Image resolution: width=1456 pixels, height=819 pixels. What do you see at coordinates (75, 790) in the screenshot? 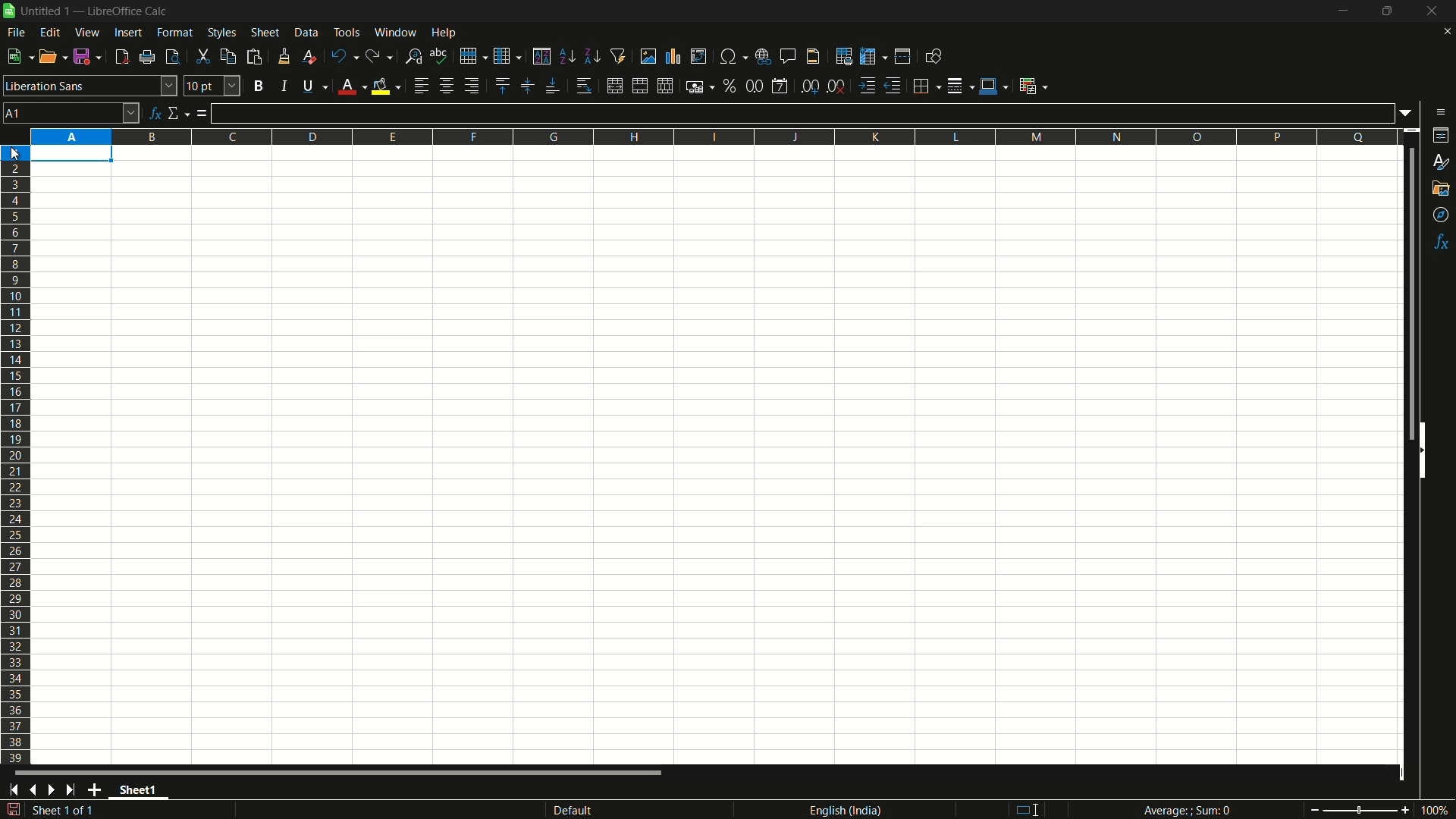
I see `scroll to last sheet` at bounding box center [75, 790].